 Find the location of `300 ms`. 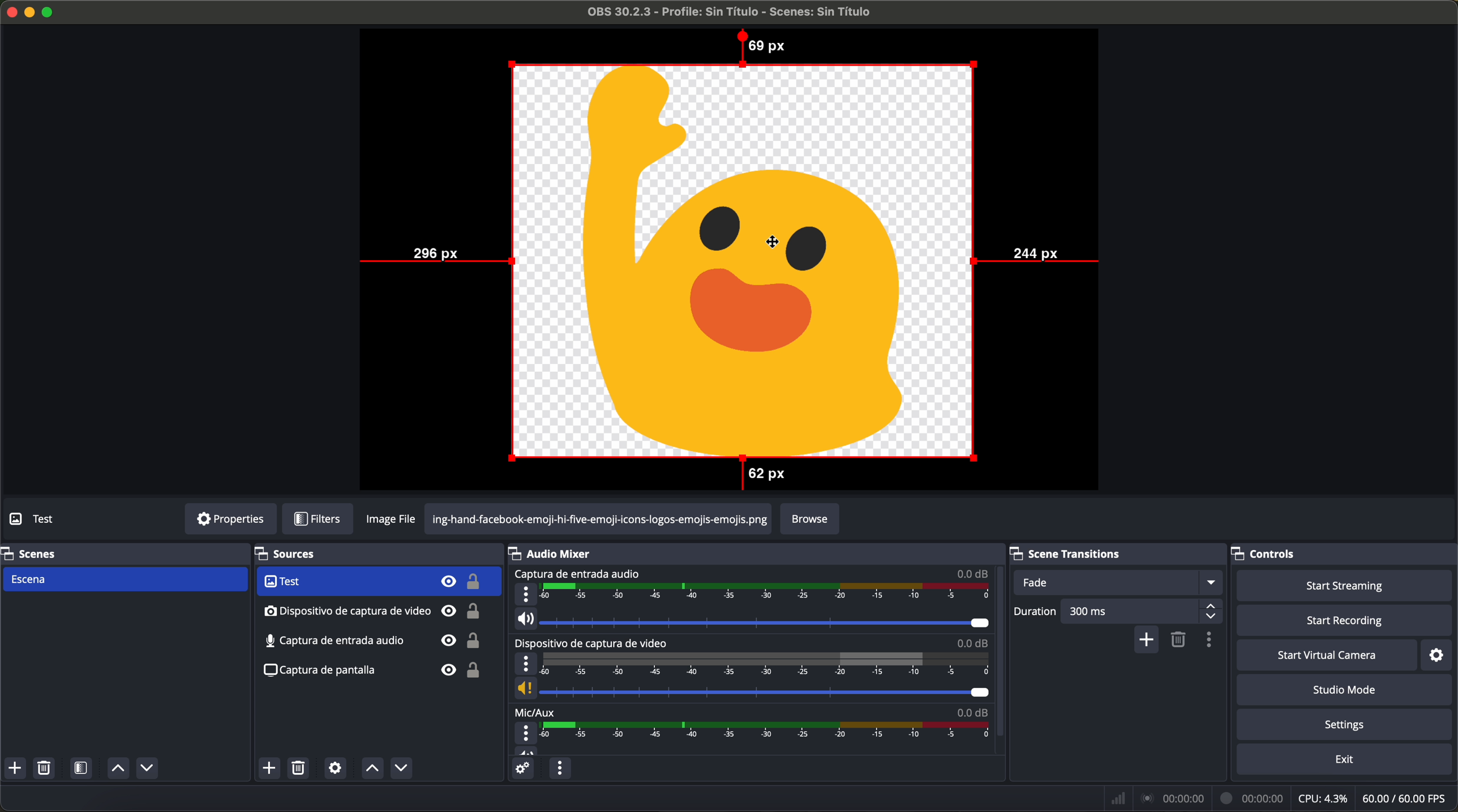

300 ms is located at coordinates (1143, 611).